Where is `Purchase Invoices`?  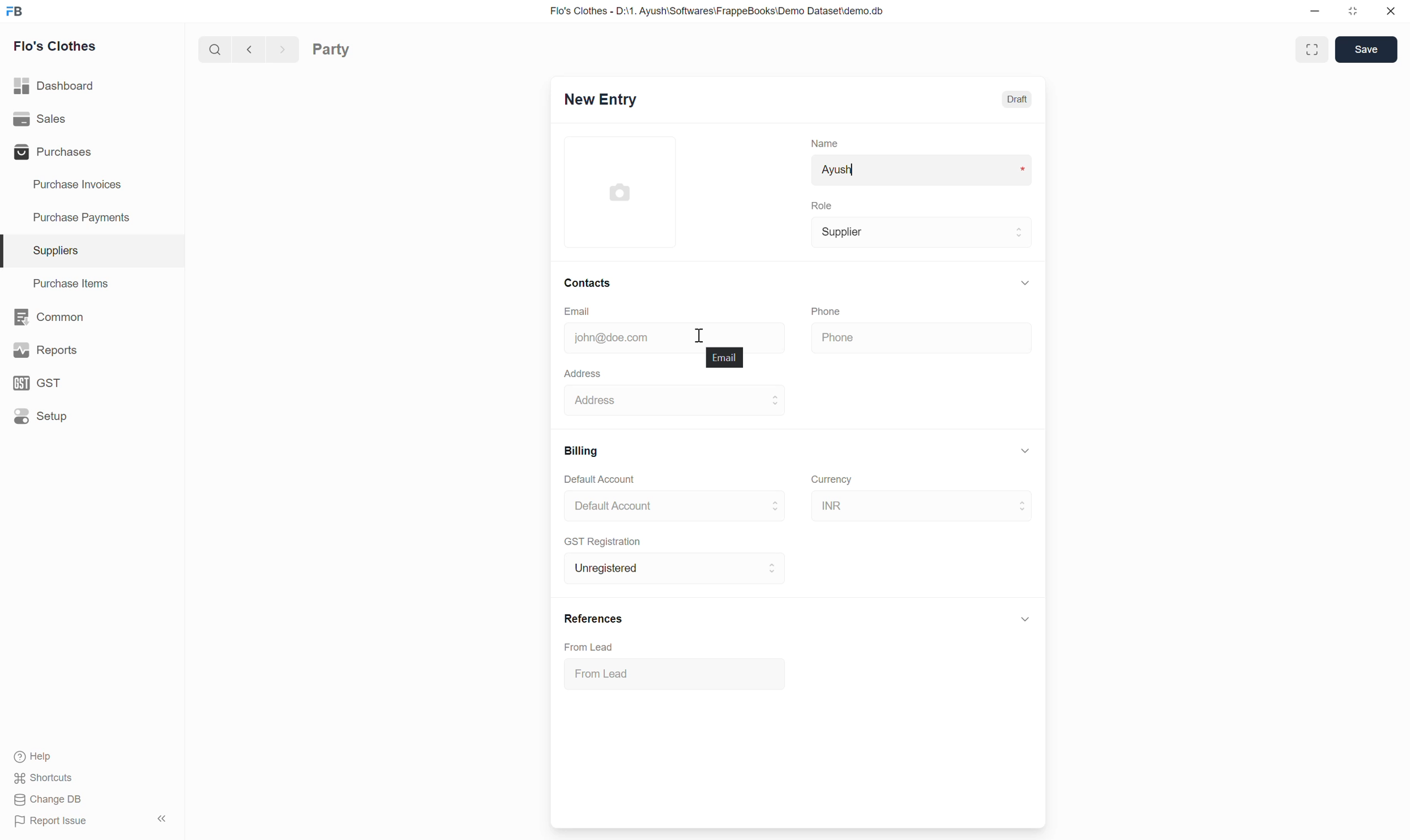 Purchase Invoices is located at coordinates (91, 185).